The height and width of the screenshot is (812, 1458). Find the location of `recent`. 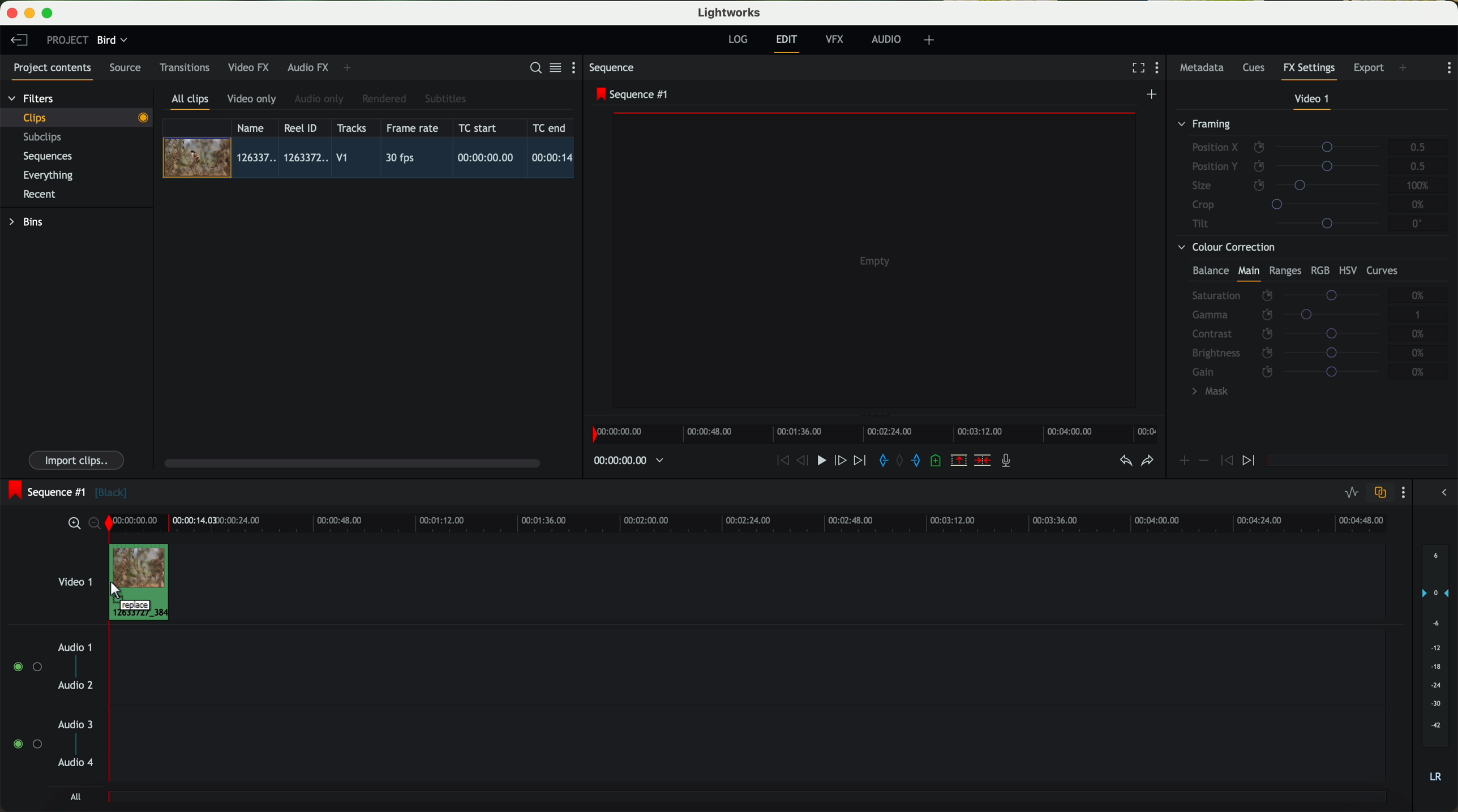

recent is located at coordinates (40, 196).